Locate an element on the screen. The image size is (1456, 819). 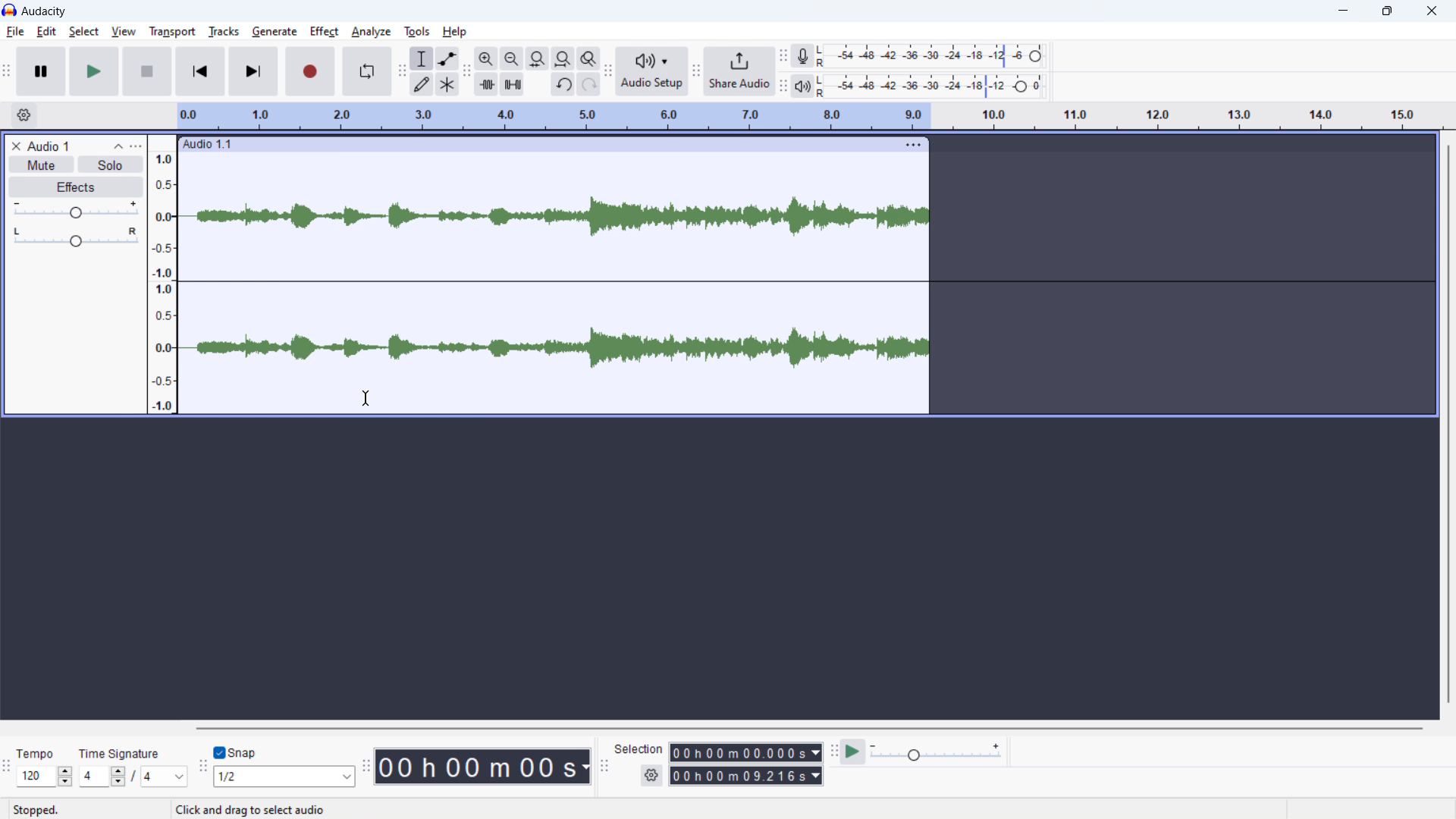
edit toolbar is located at coordinates (467, 72).